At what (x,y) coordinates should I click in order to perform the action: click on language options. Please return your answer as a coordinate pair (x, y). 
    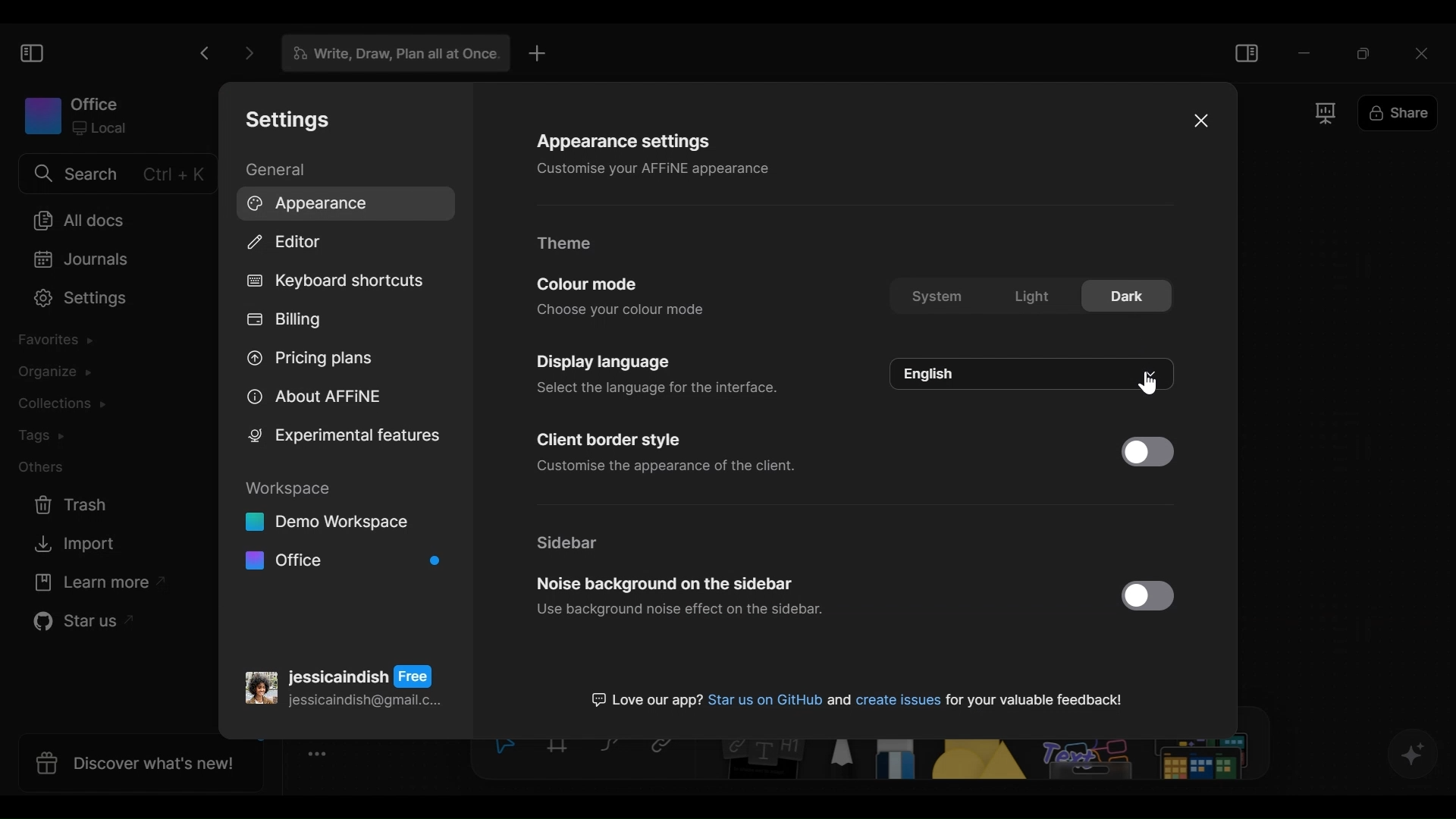
    Looking at the image, I should click on (1034, 374).